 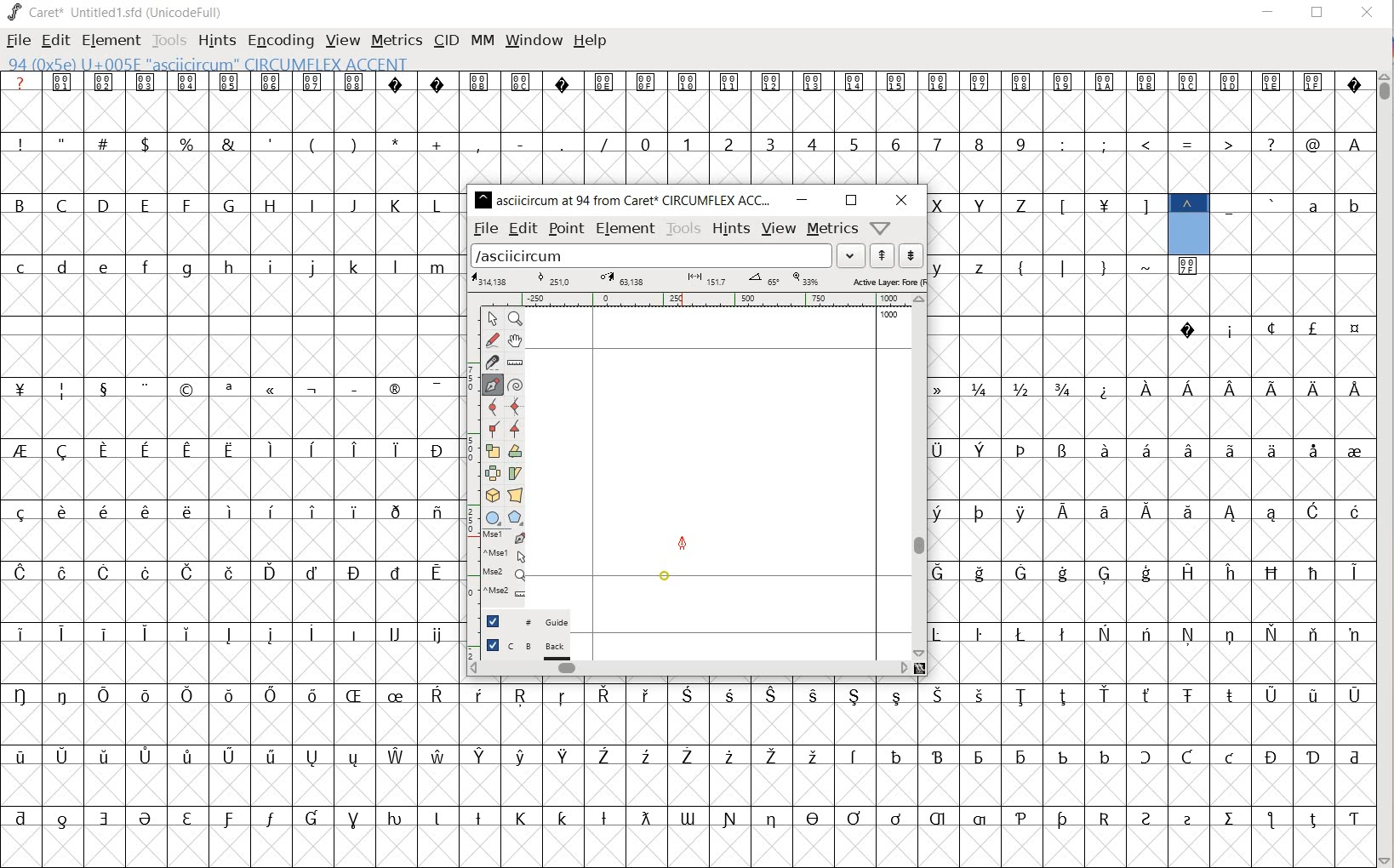 I want to click on ruler, so click(x=694, y=300).